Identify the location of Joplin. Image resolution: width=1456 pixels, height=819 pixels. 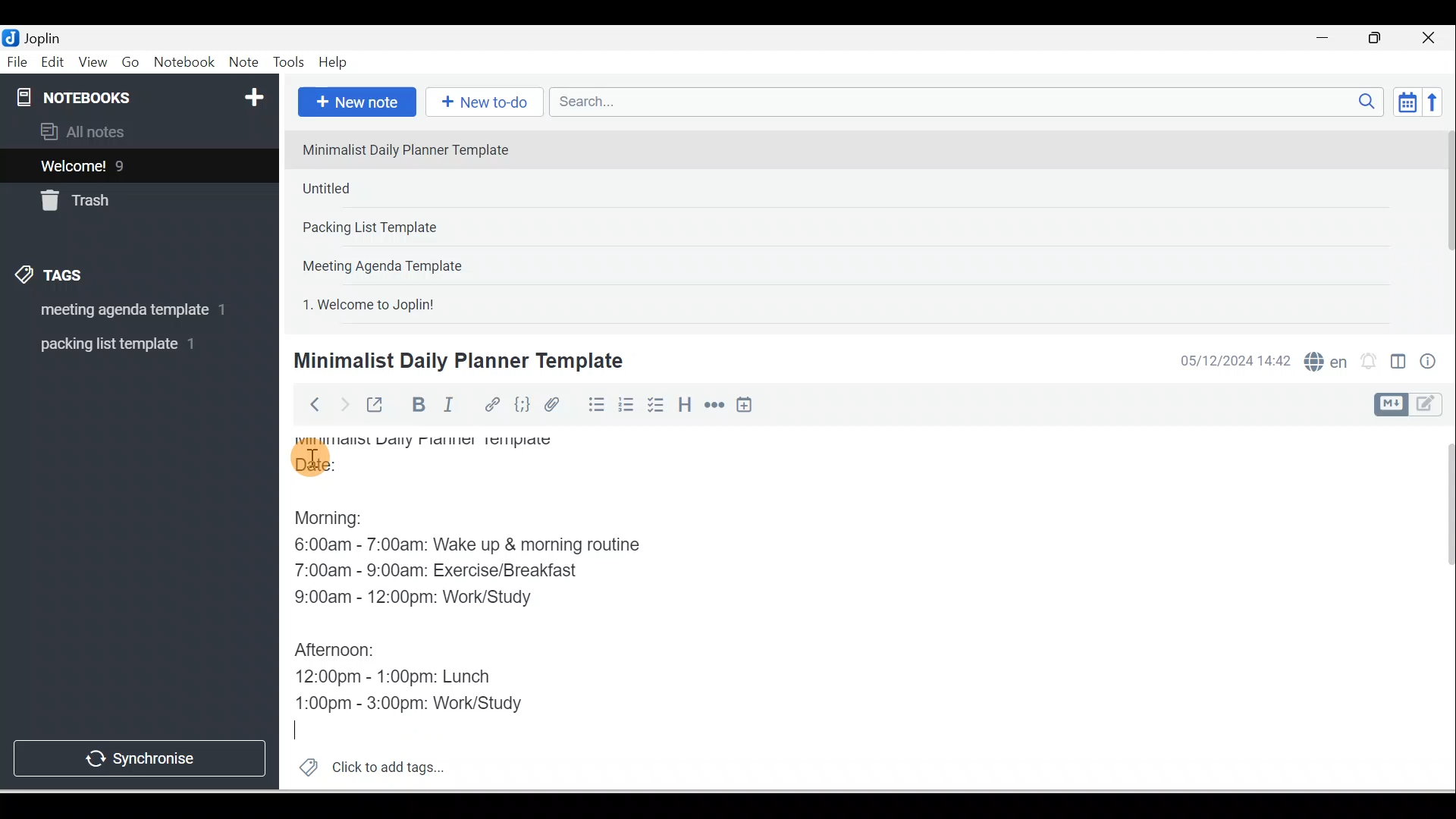
(46, 36).